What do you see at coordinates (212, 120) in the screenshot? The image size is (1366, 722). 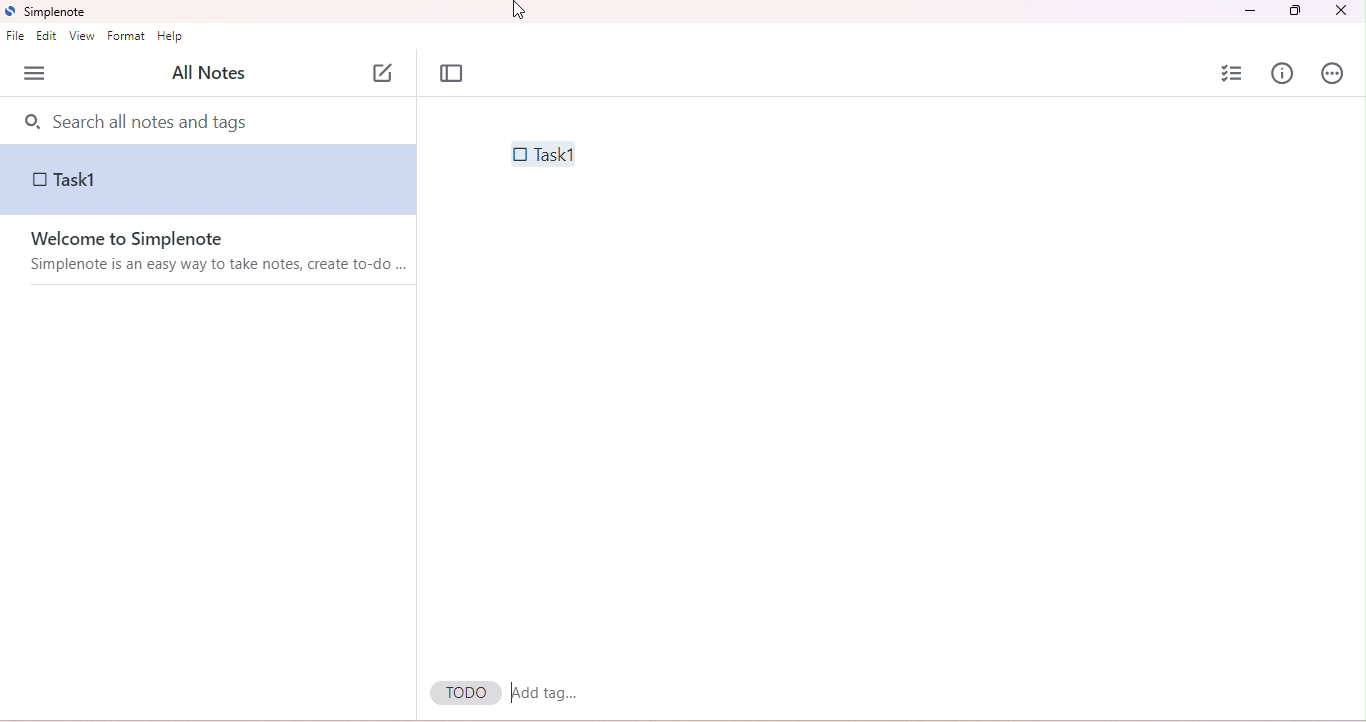 I see `search bar` at bounding box center [212, 120].